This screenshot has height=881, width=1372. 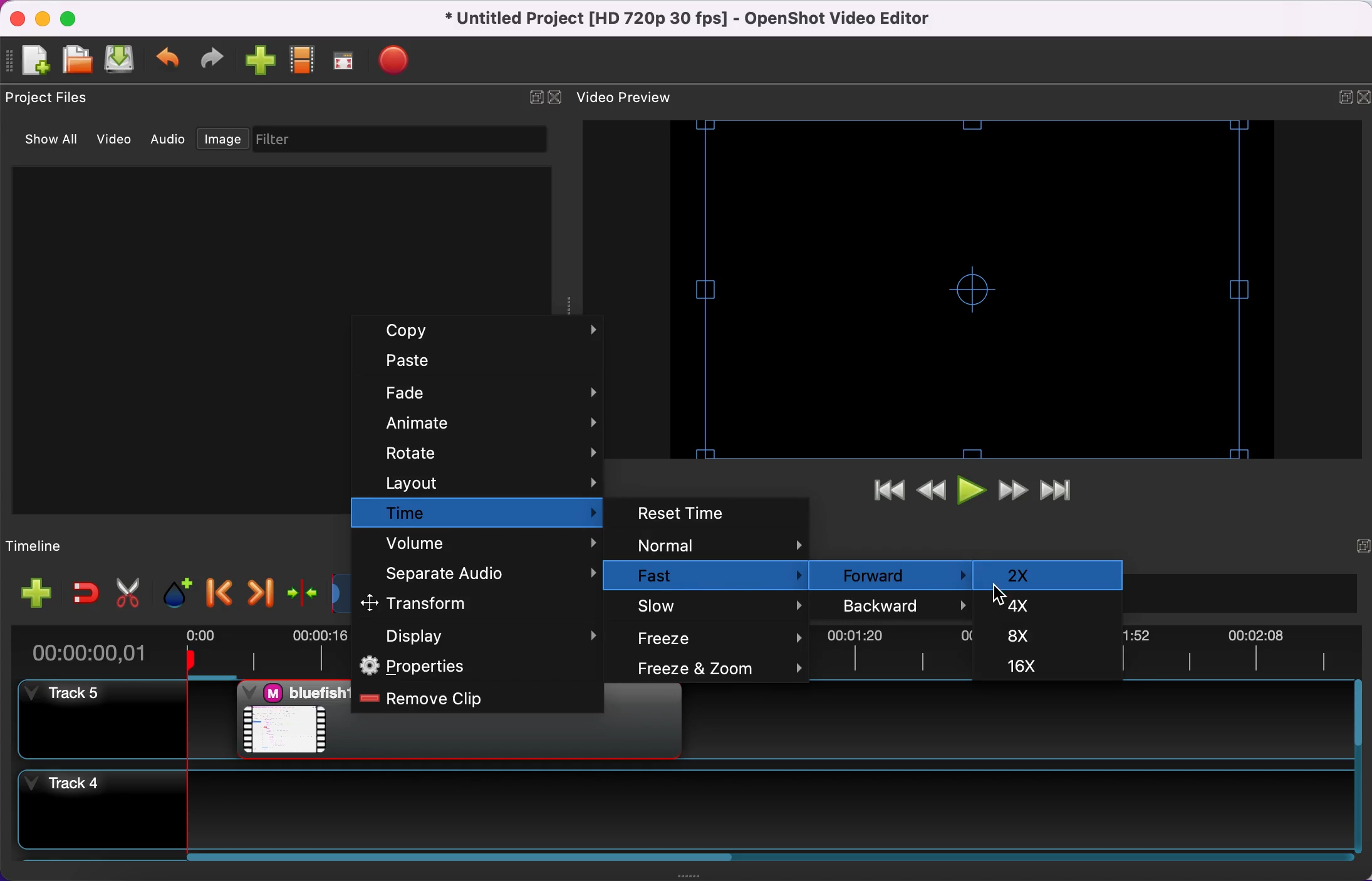 I want to click on full screen, so click(x=349, y=60).